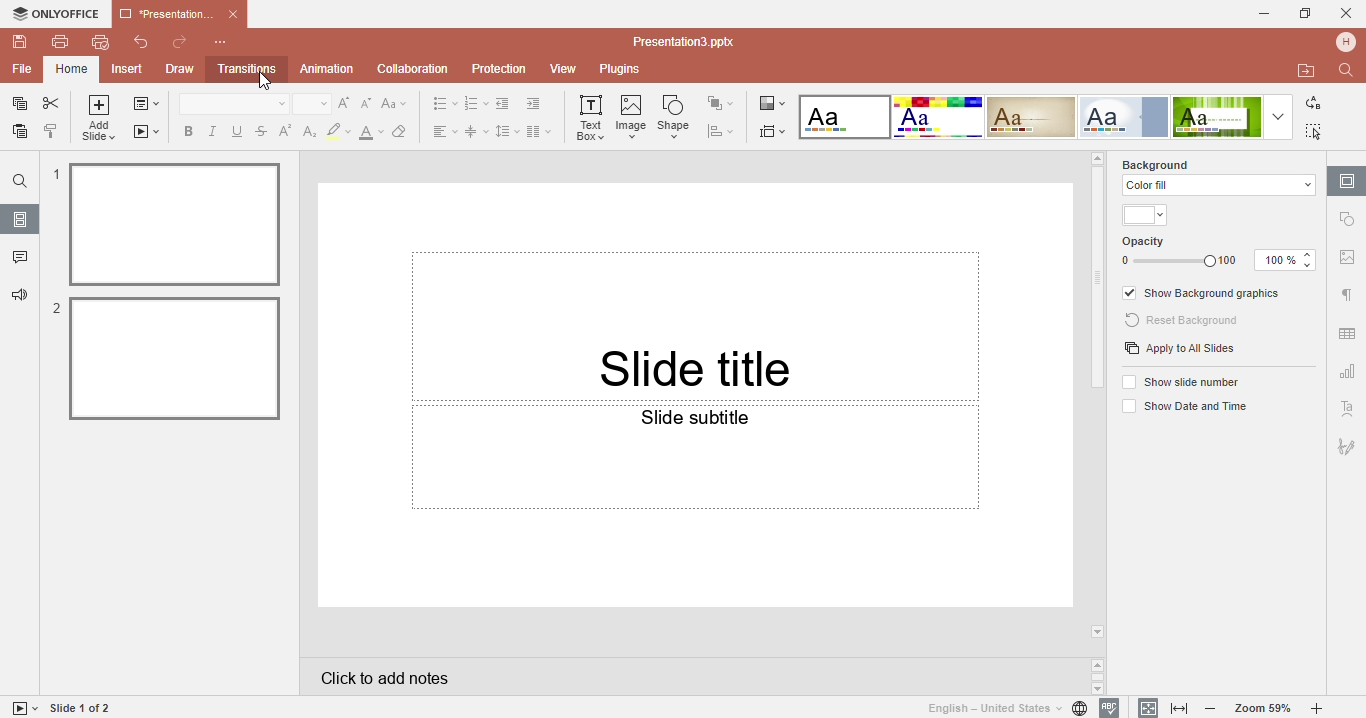 The height and width of the screenshot is (718, 1366). Describe the element at coordinates (1006, 708) in the screenshot. I see `Set document language` at that location.